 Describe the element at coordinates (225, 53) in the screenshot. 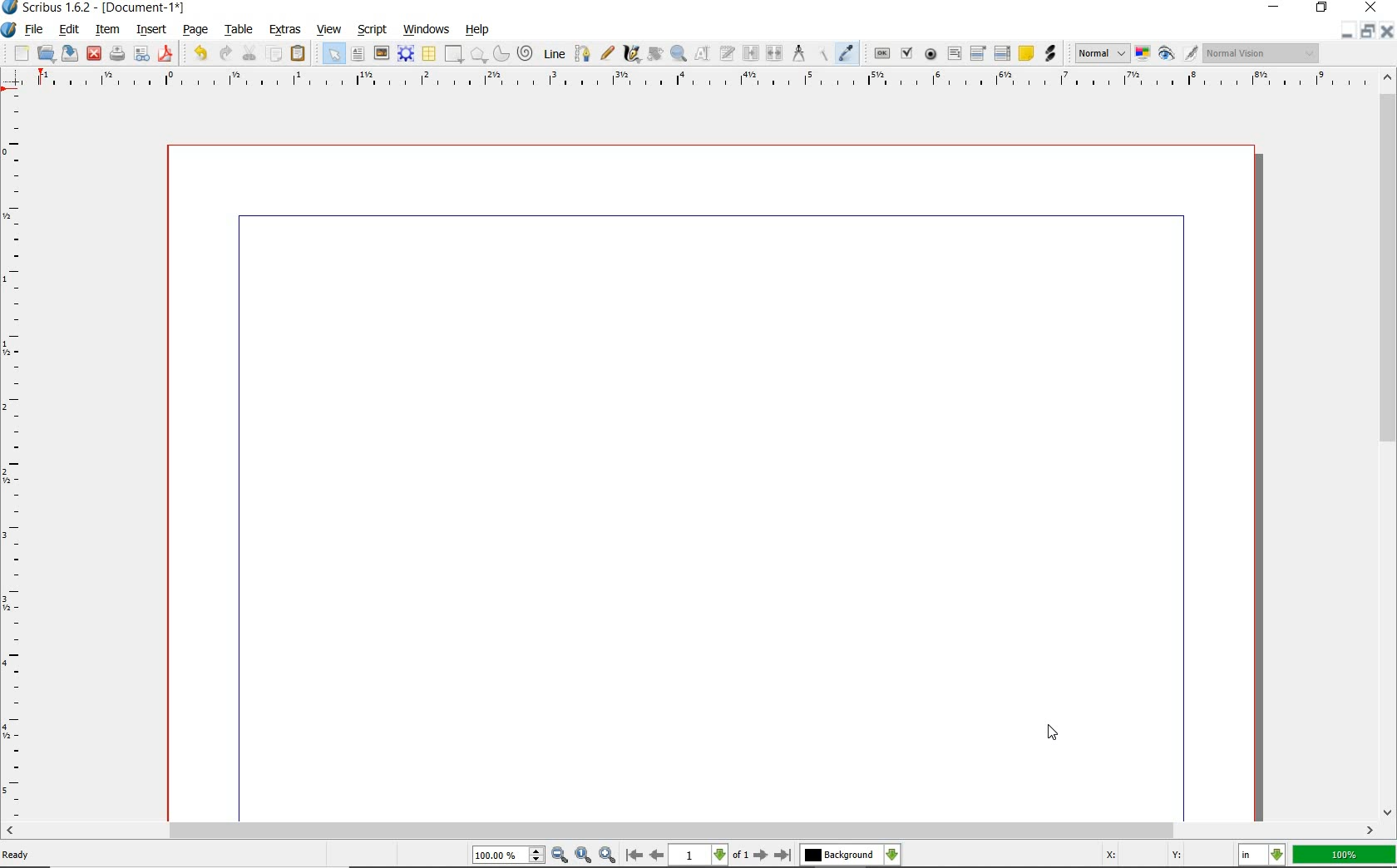

I see `redo` at that location.